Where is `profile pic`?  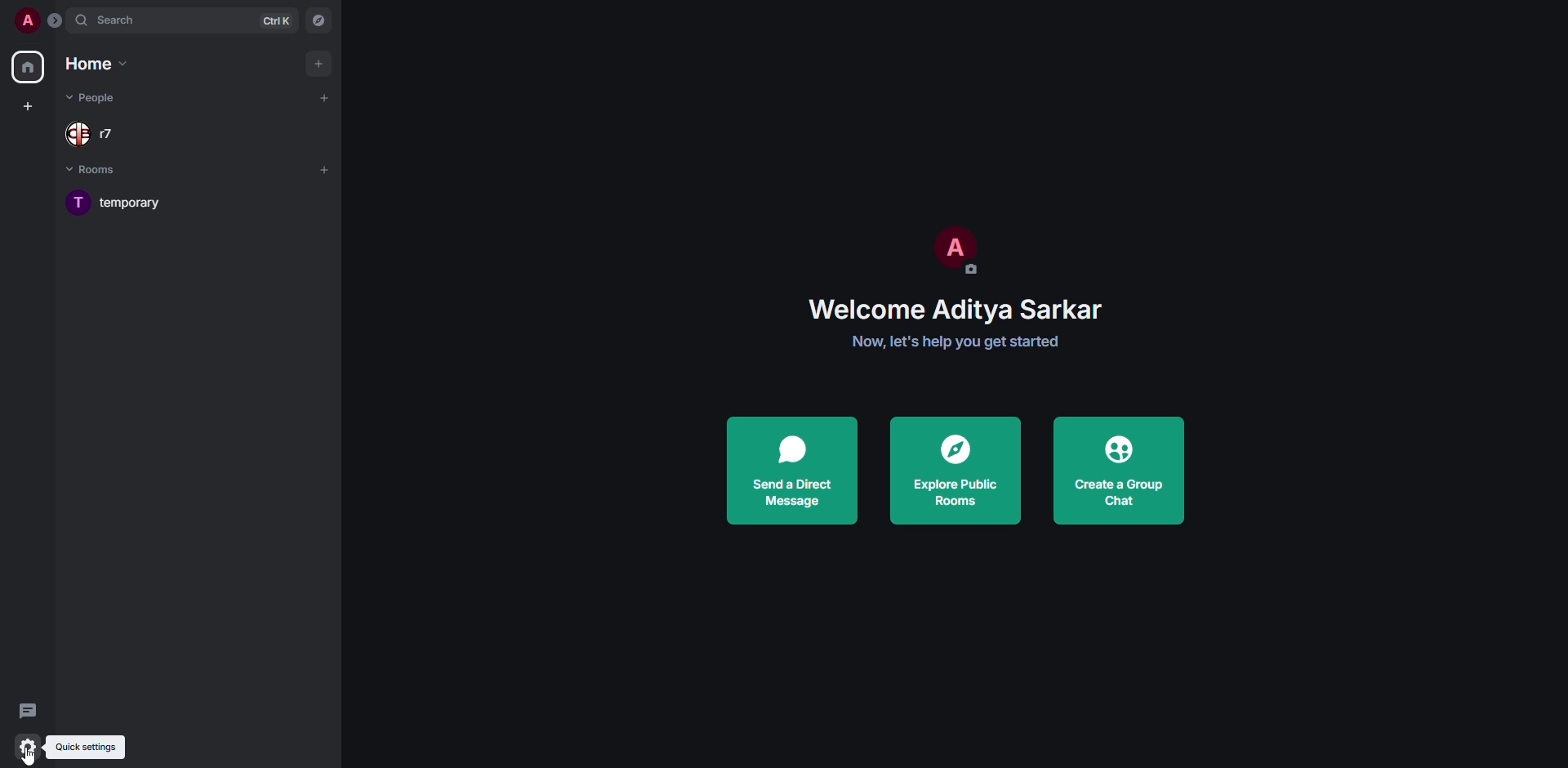 profile pic is located at coordinates (957, 248).